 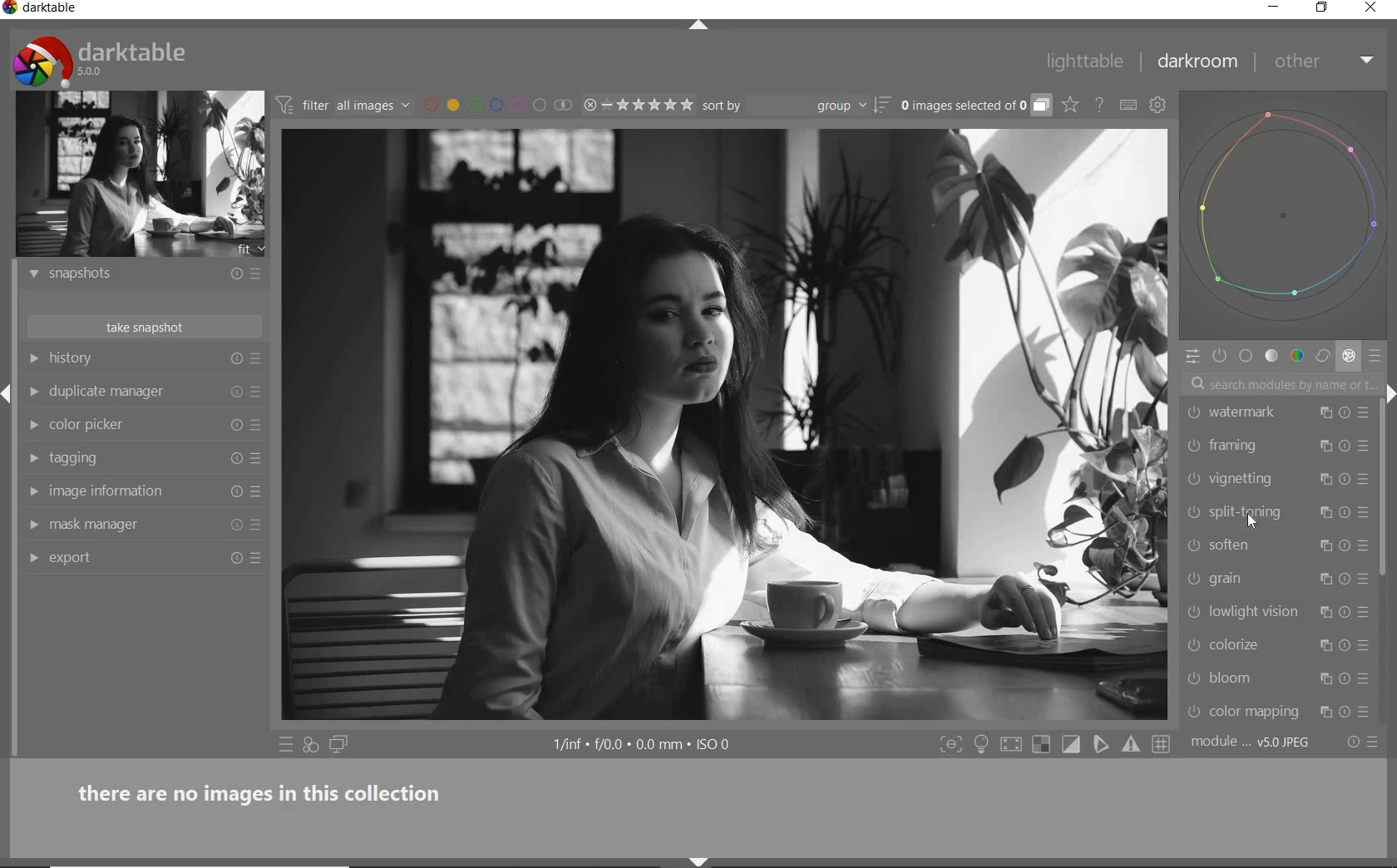 What do you see at coordinates (1345, 579) in the screenshot?
I see `reset` at bounding box center [1345, 579].